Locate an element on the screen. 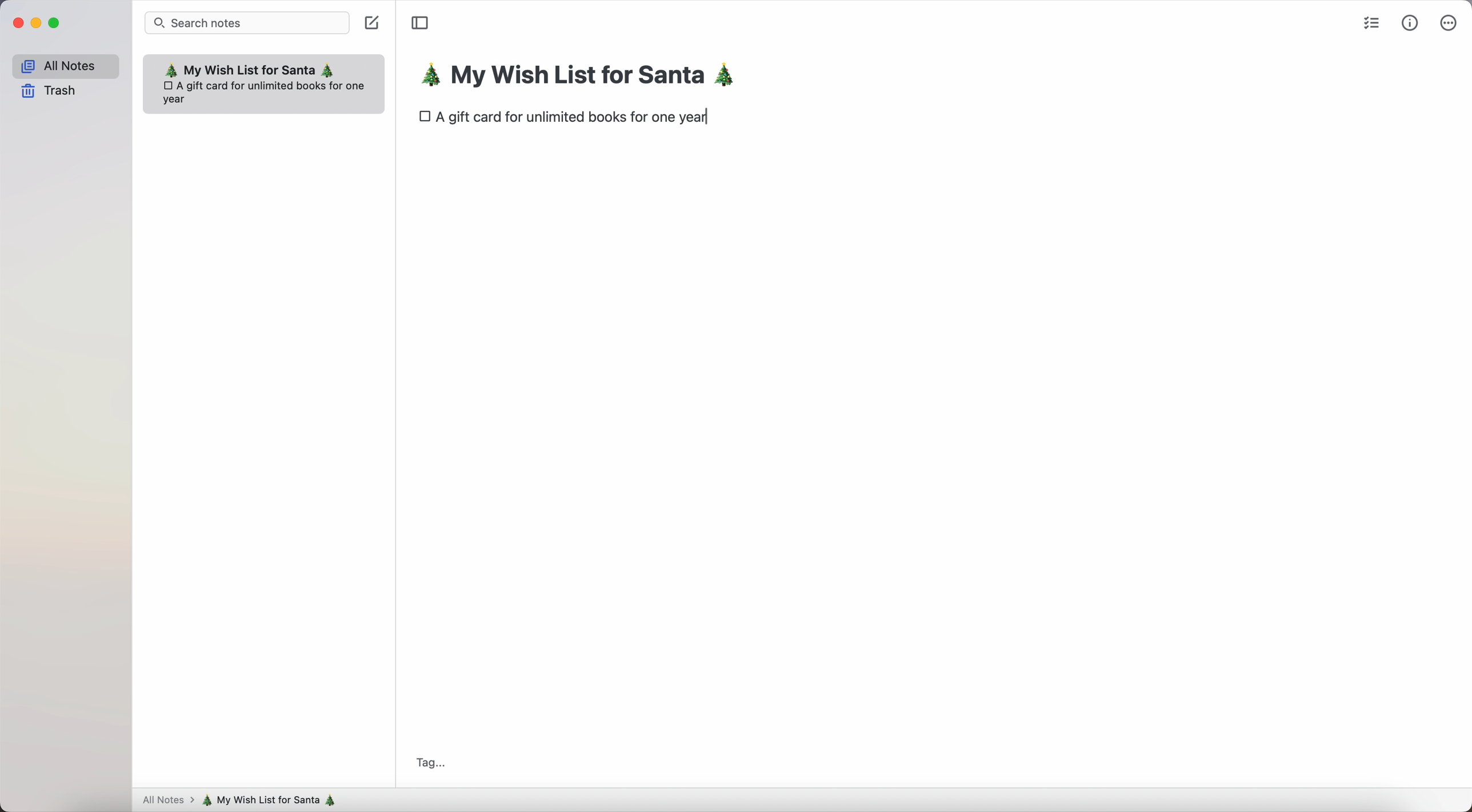  my wish list for Santa is located at coordinates (274, 800).